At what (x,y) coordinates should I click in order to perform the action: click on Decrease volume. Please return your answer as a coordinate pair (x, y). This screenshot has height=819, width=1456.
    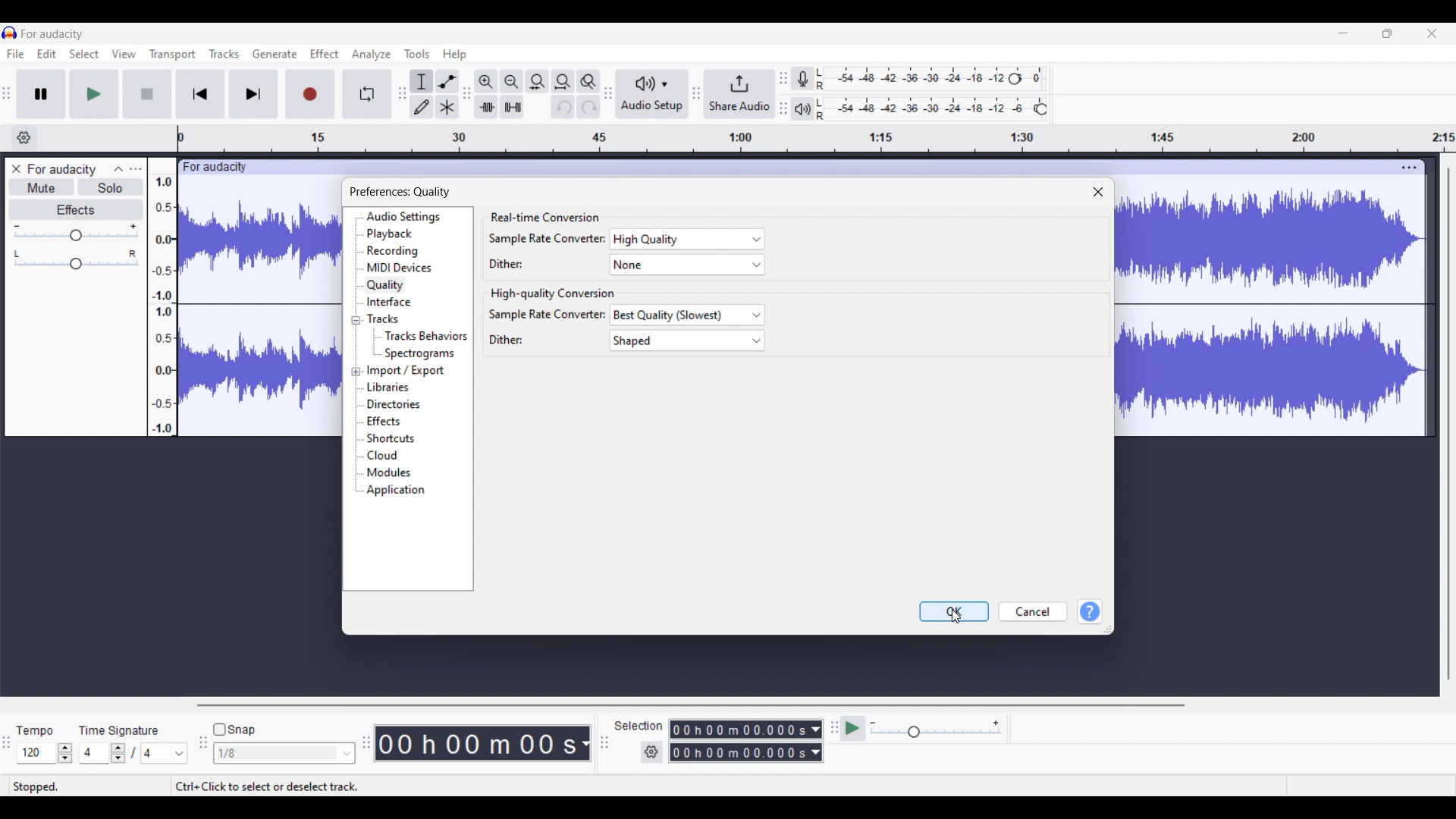
    Looking at the image, I should click on (16, 227).